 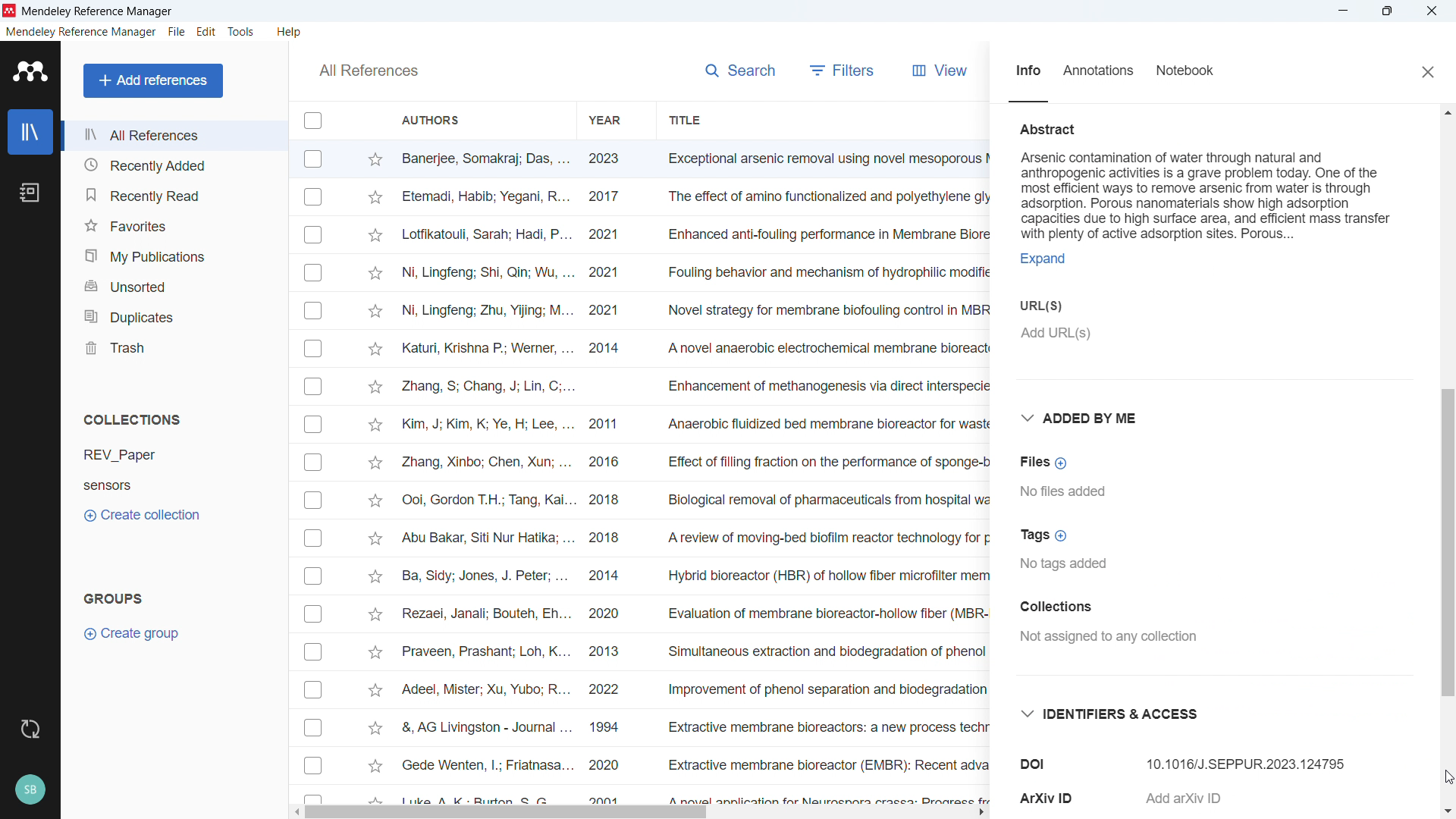 I want to click on click to select individual entry, so click(x=312, y=310).